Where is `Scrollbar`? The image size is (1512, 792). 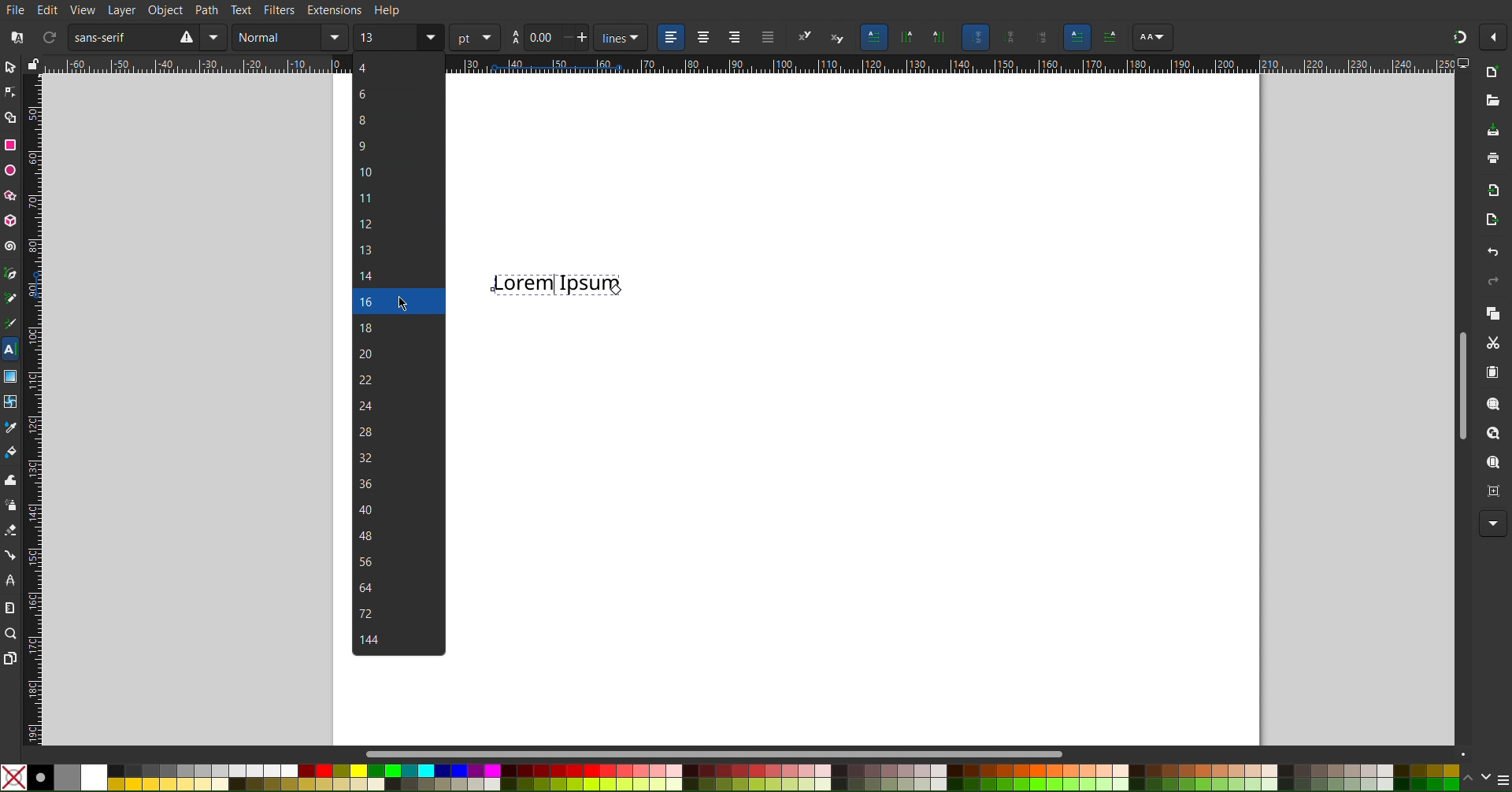 Scrollbar is located at coordinates (1462, 385).